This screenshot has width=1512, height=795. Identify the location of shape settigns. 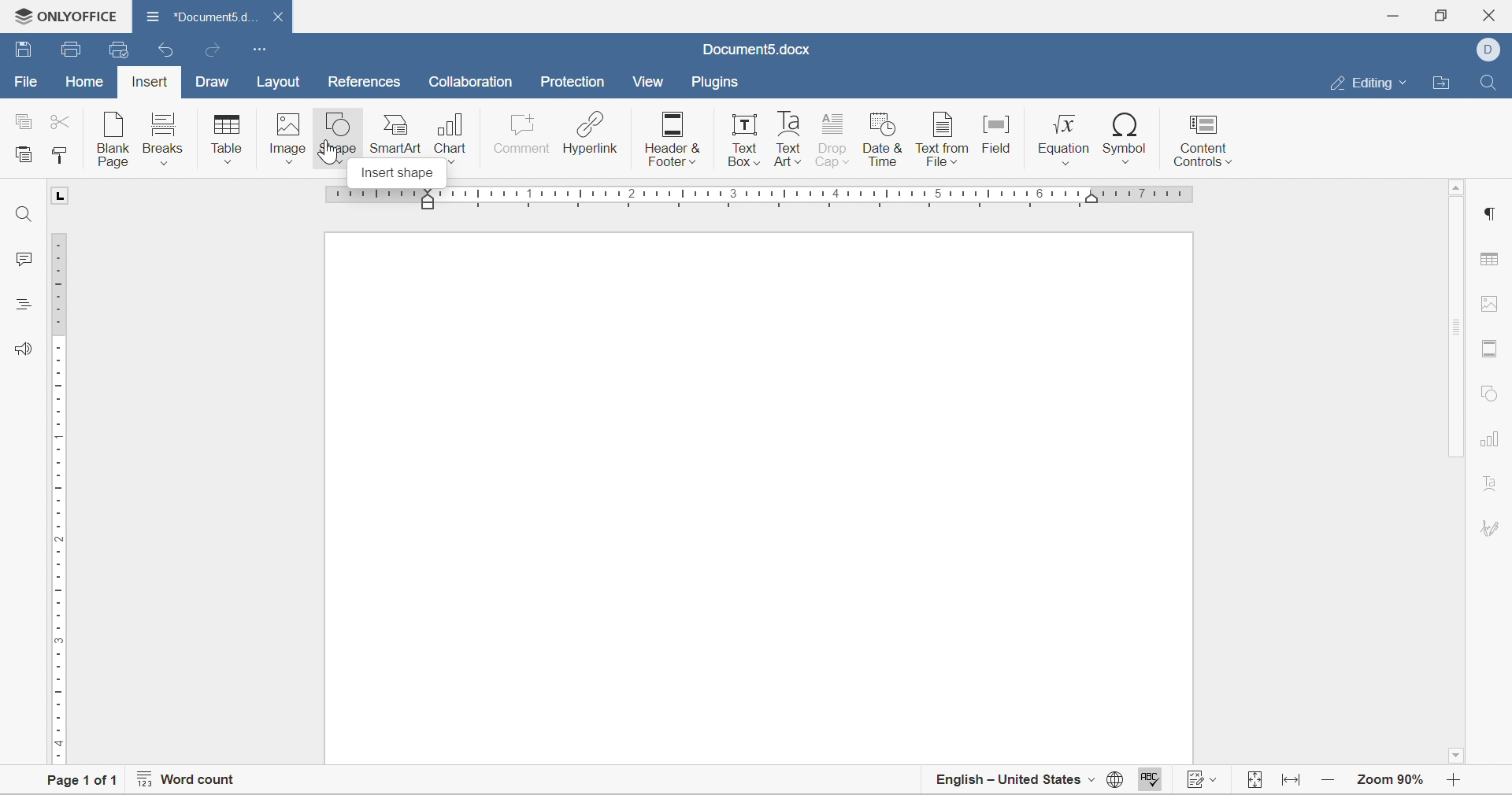
(1491, 390).